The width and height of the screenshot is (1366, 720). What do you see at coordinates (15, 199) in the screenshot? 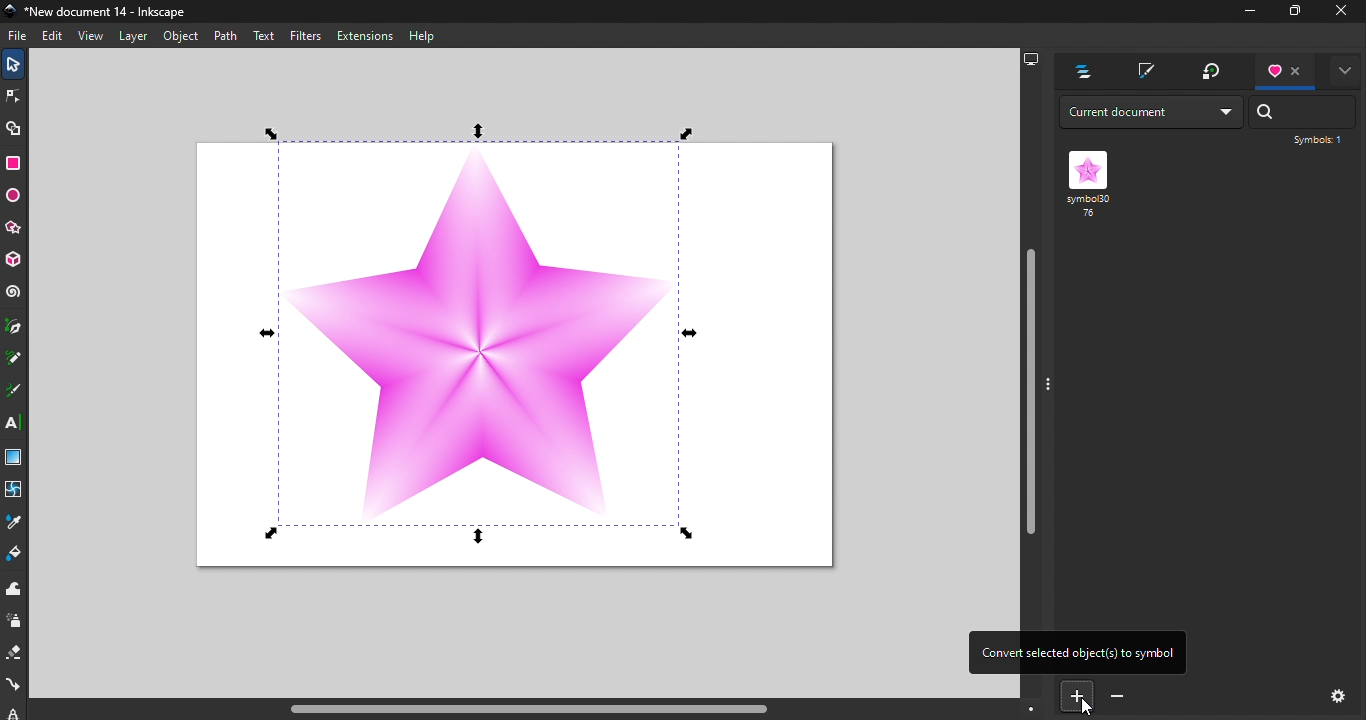
I see `Ellipse/Arc tool` at bounding box center [15, 199].